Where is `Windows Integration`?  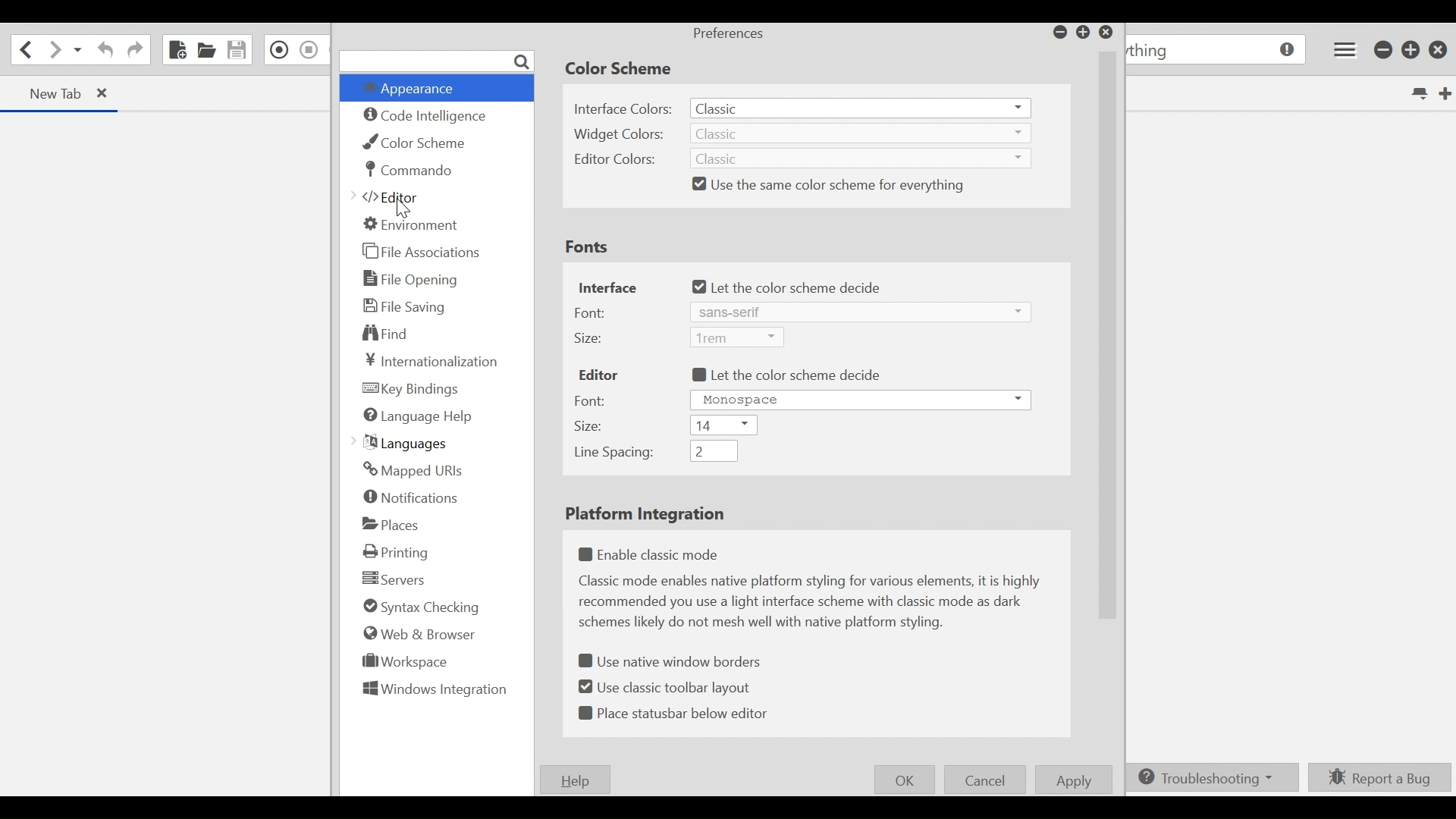 Windows Integration is located at coordinates (435, 690).